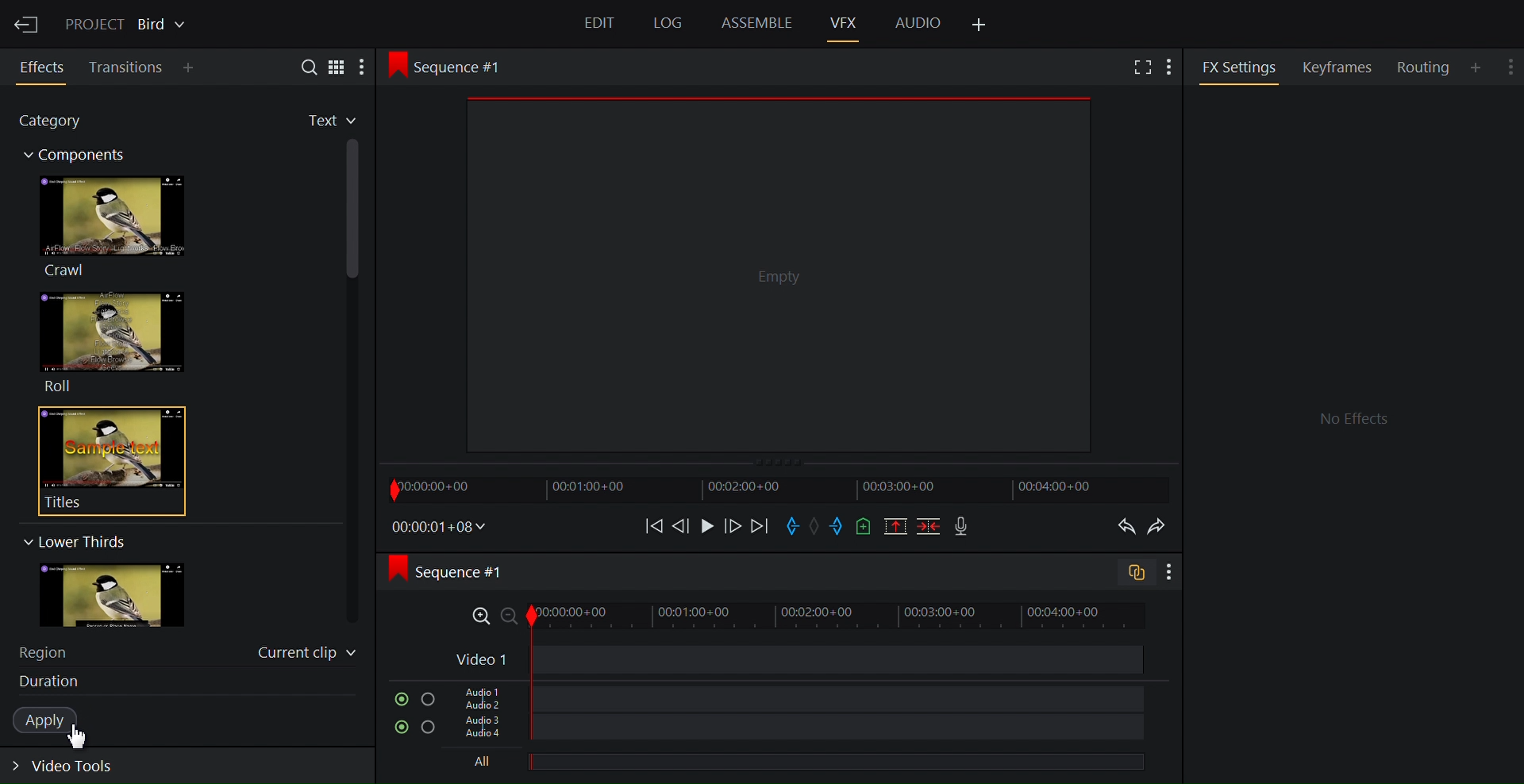 The image size is (1524, 784). What do you see at coordinates (1130, 575) in the screenshot?
I see `Toggle audio trcak sync` at bounding box center [1130, 575].